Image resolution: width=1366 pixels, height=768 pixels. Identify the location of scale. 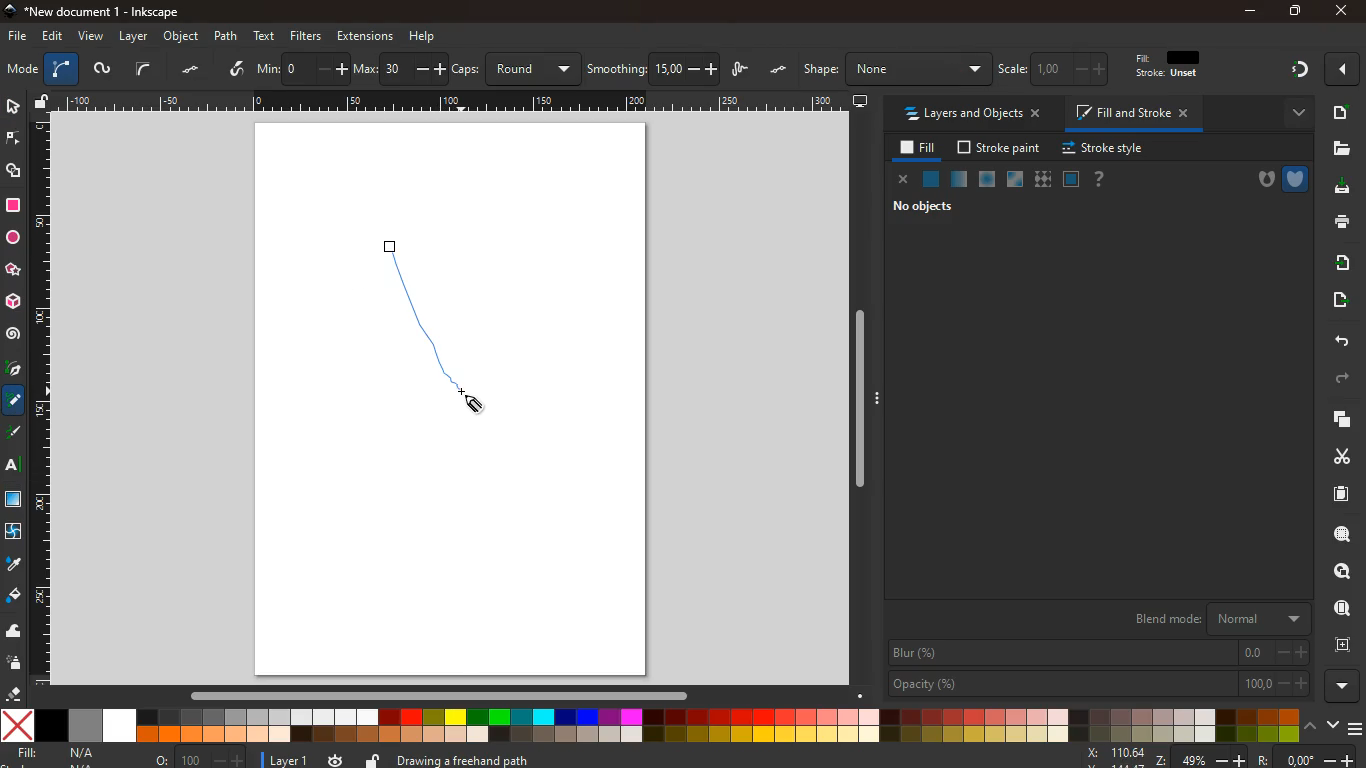
(1057, 68).